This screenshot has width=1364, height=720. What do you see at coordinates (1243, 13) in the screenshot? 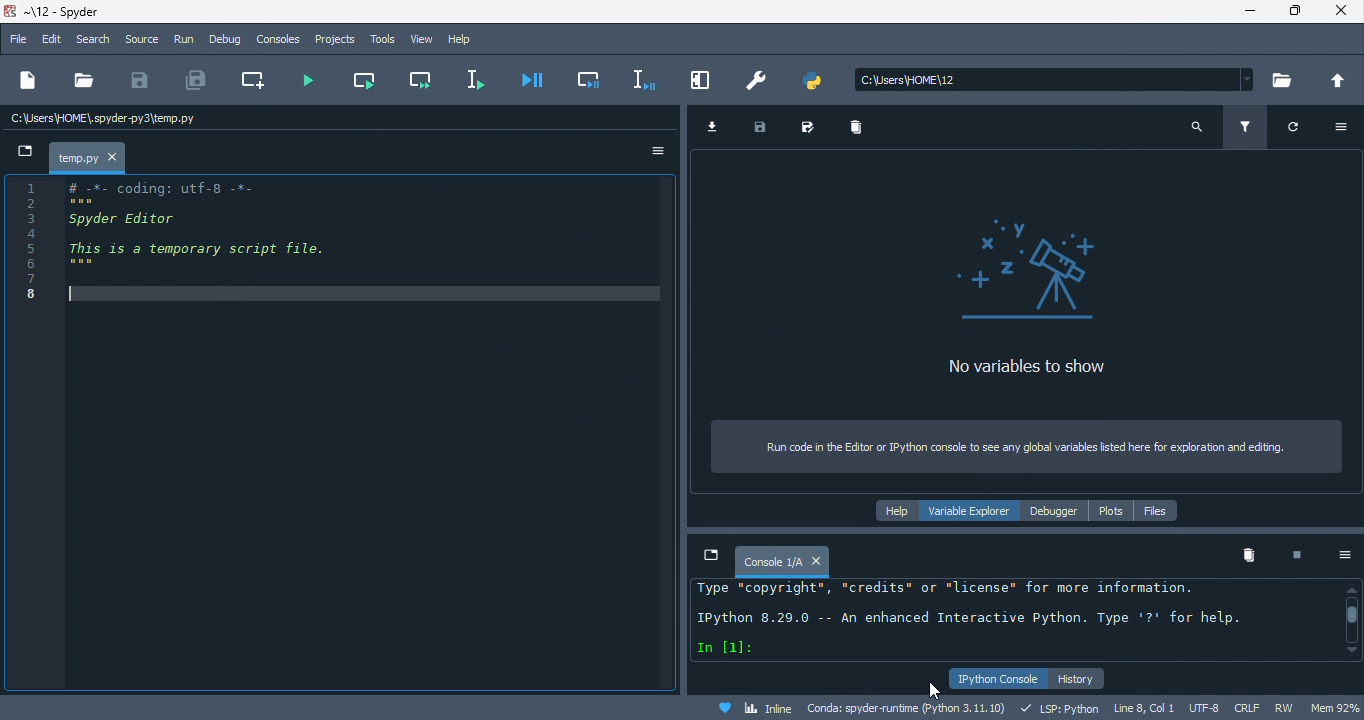
I see `minimize` at bounding box center [1243, 13].